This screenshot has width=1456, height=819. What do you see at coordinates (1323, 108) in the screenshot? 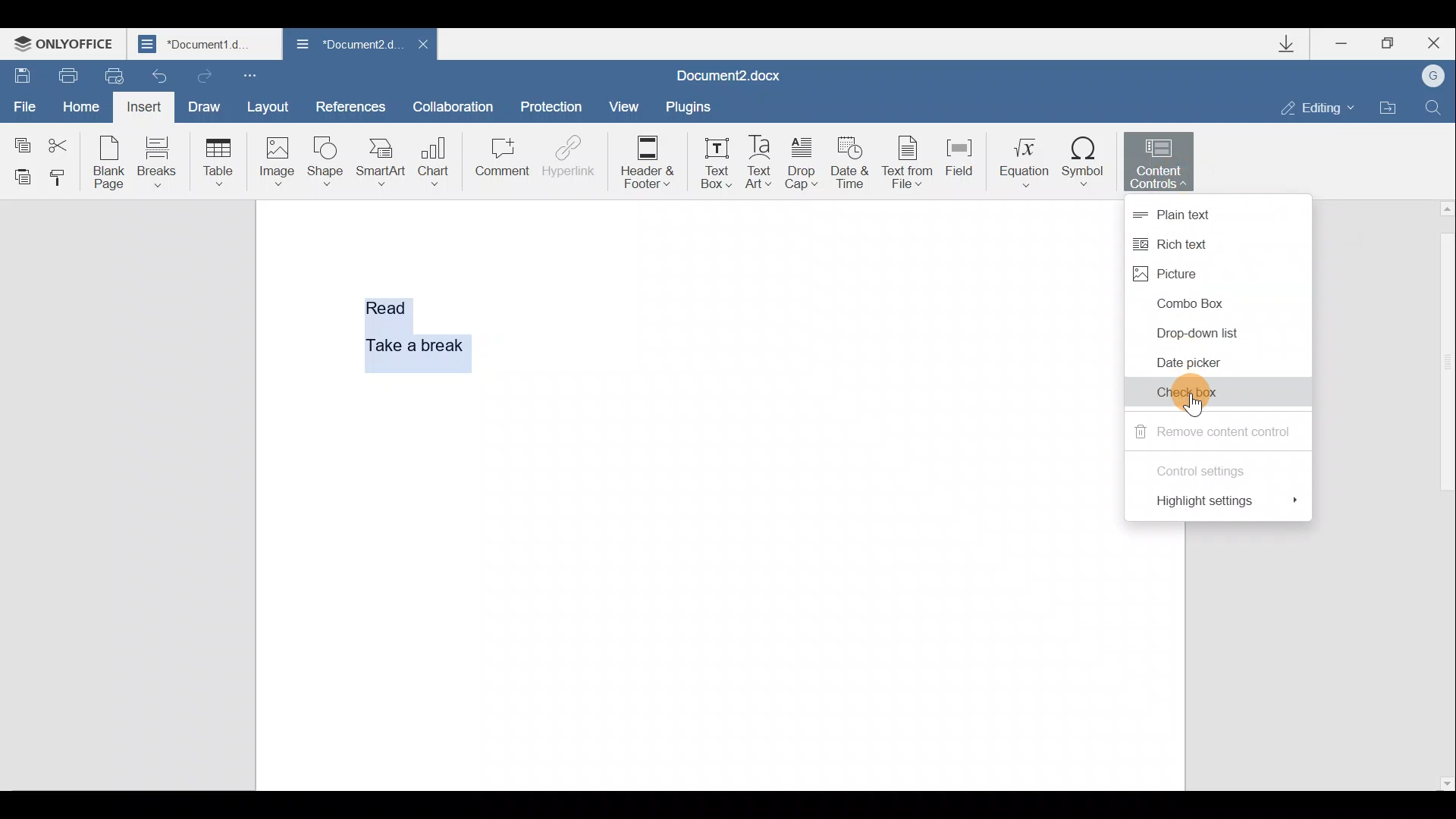
I see `Editing` at bounding box center [1323, 108].